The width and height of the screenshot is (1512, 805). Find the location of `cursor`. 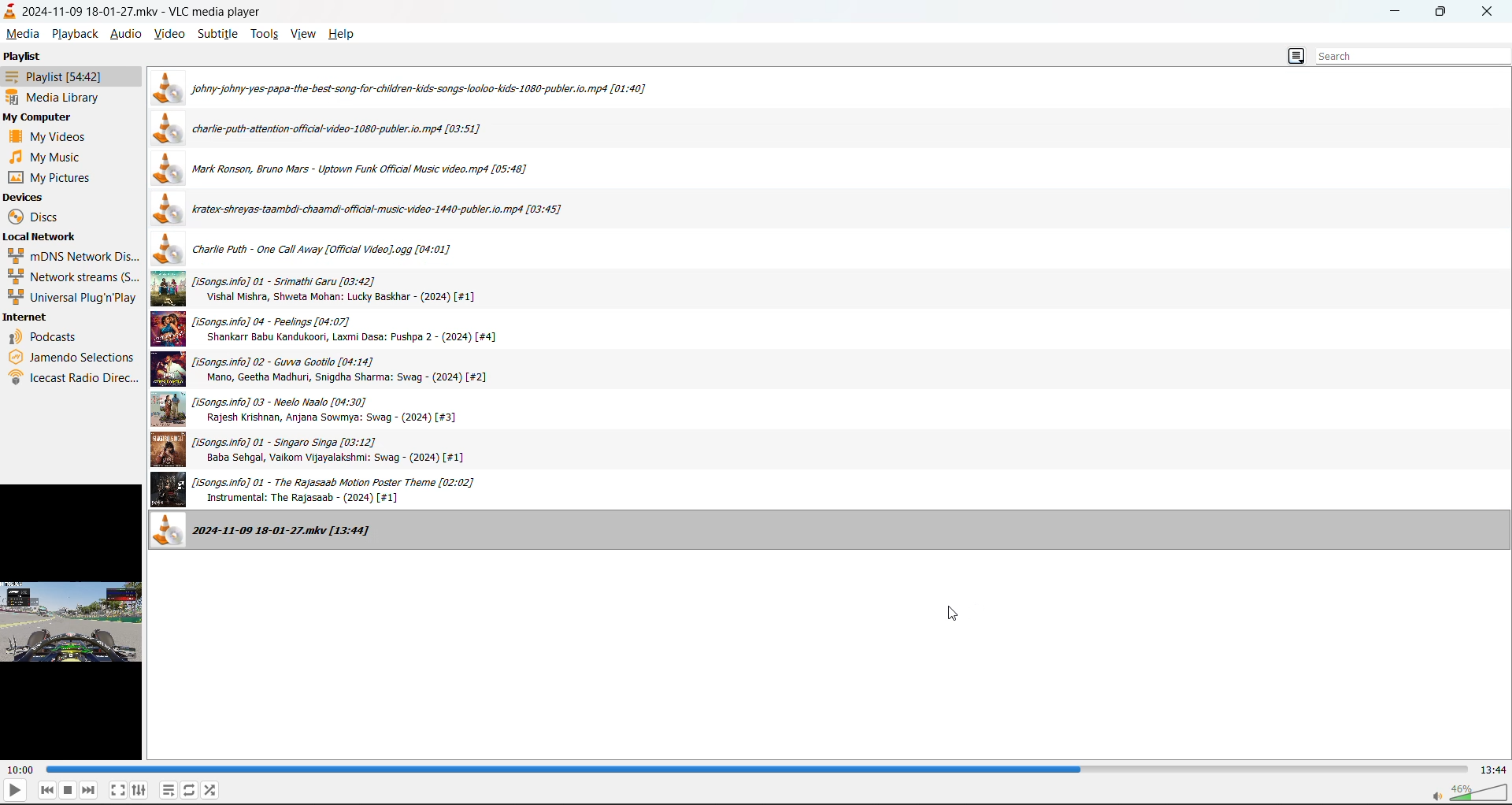

cursor is located at coordinates (953, 616).